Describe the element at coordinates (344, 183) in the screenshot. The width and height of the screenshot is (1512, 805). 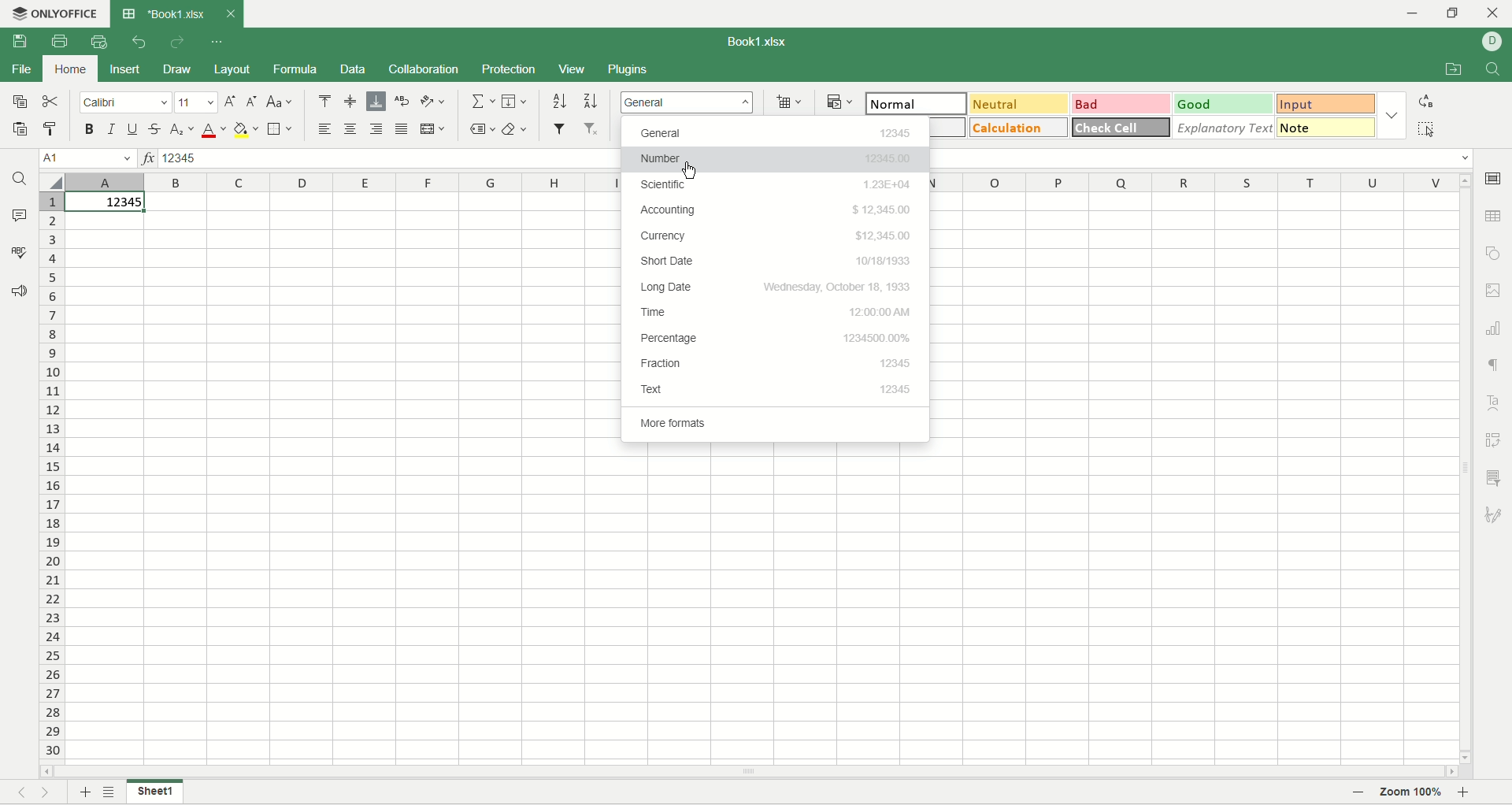
I see `column name` at that location.